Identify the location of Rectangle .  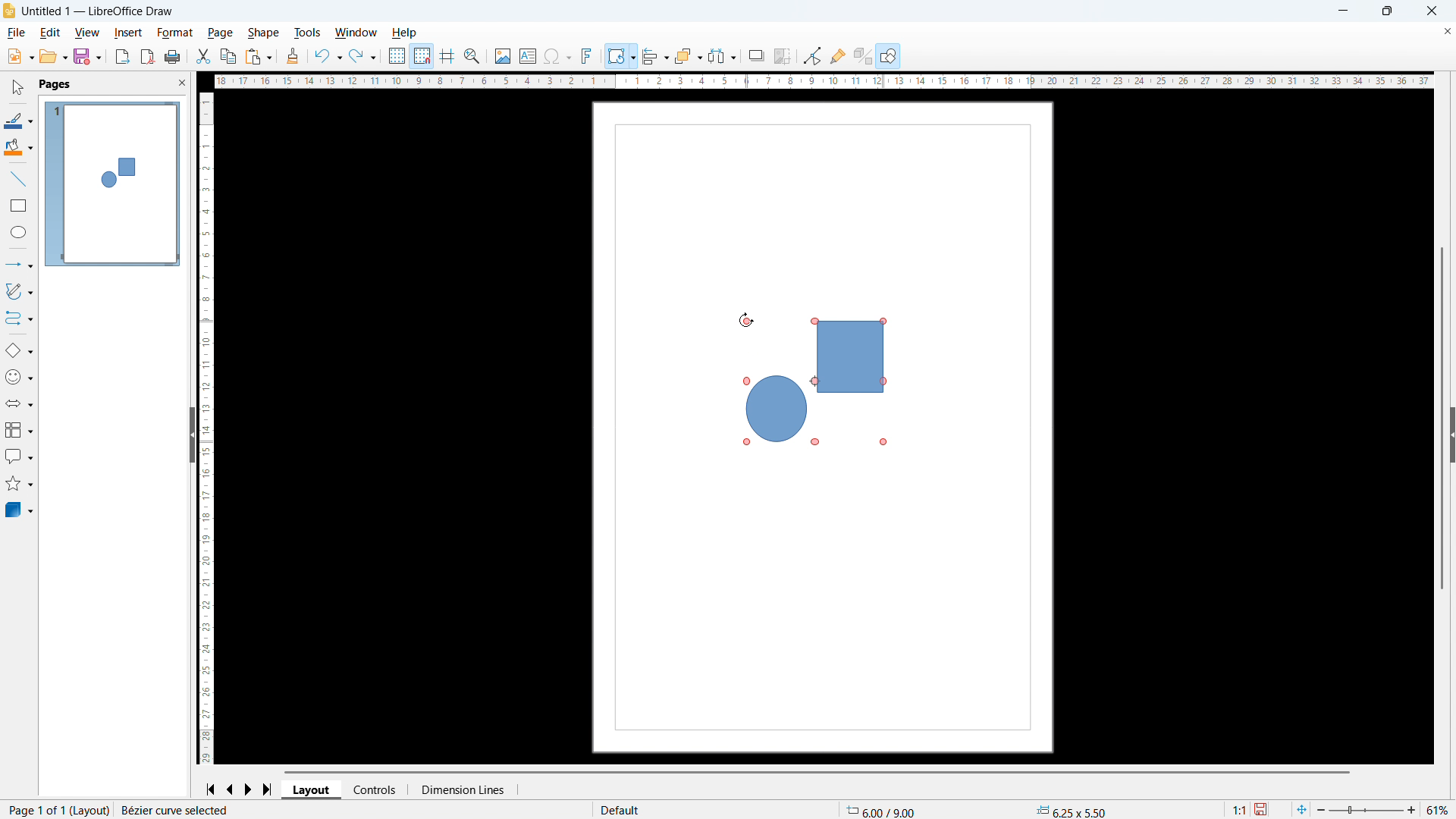
(19, 206).